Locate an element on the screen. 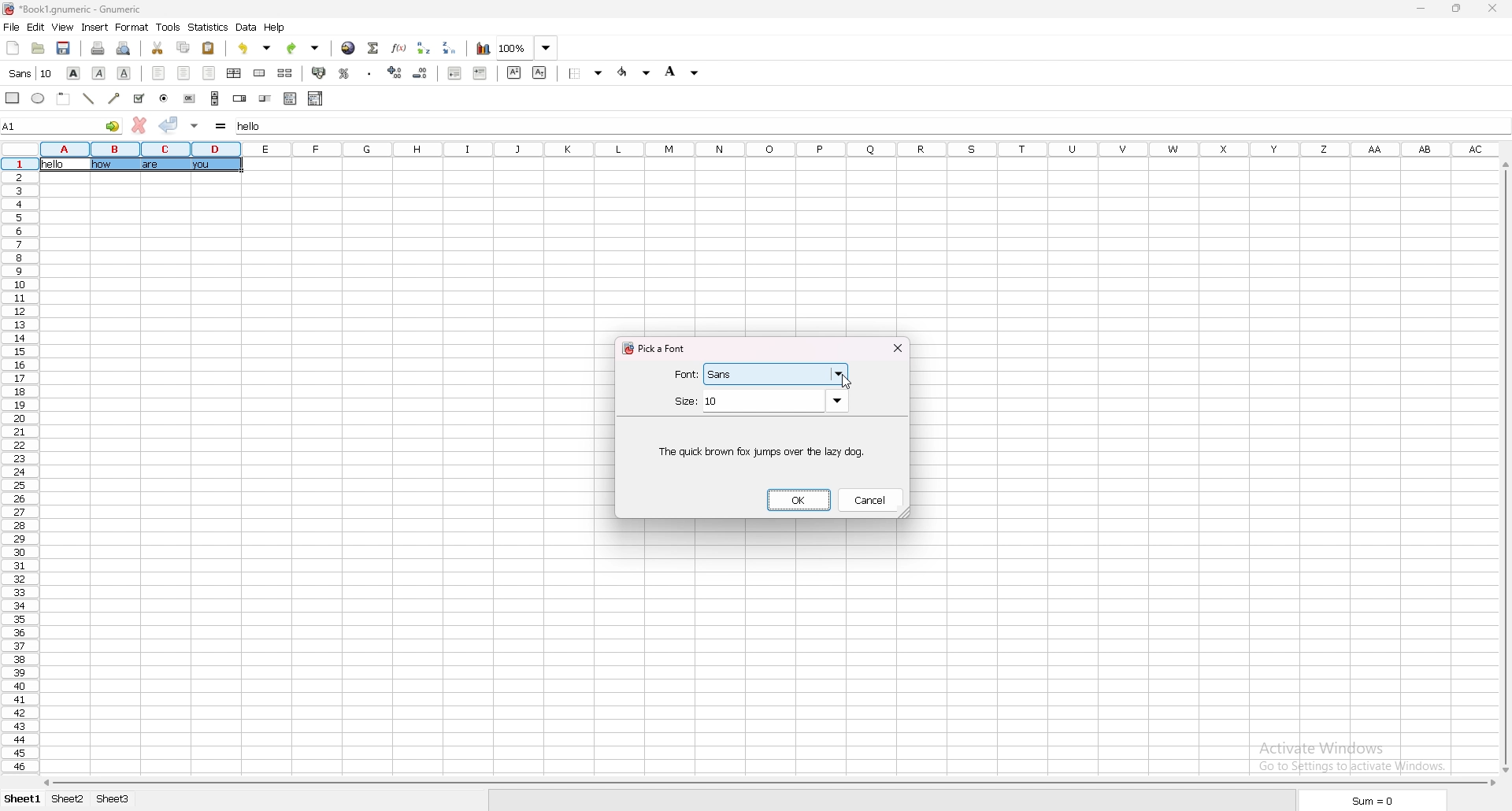  functions is located at coordinates (399, 47).